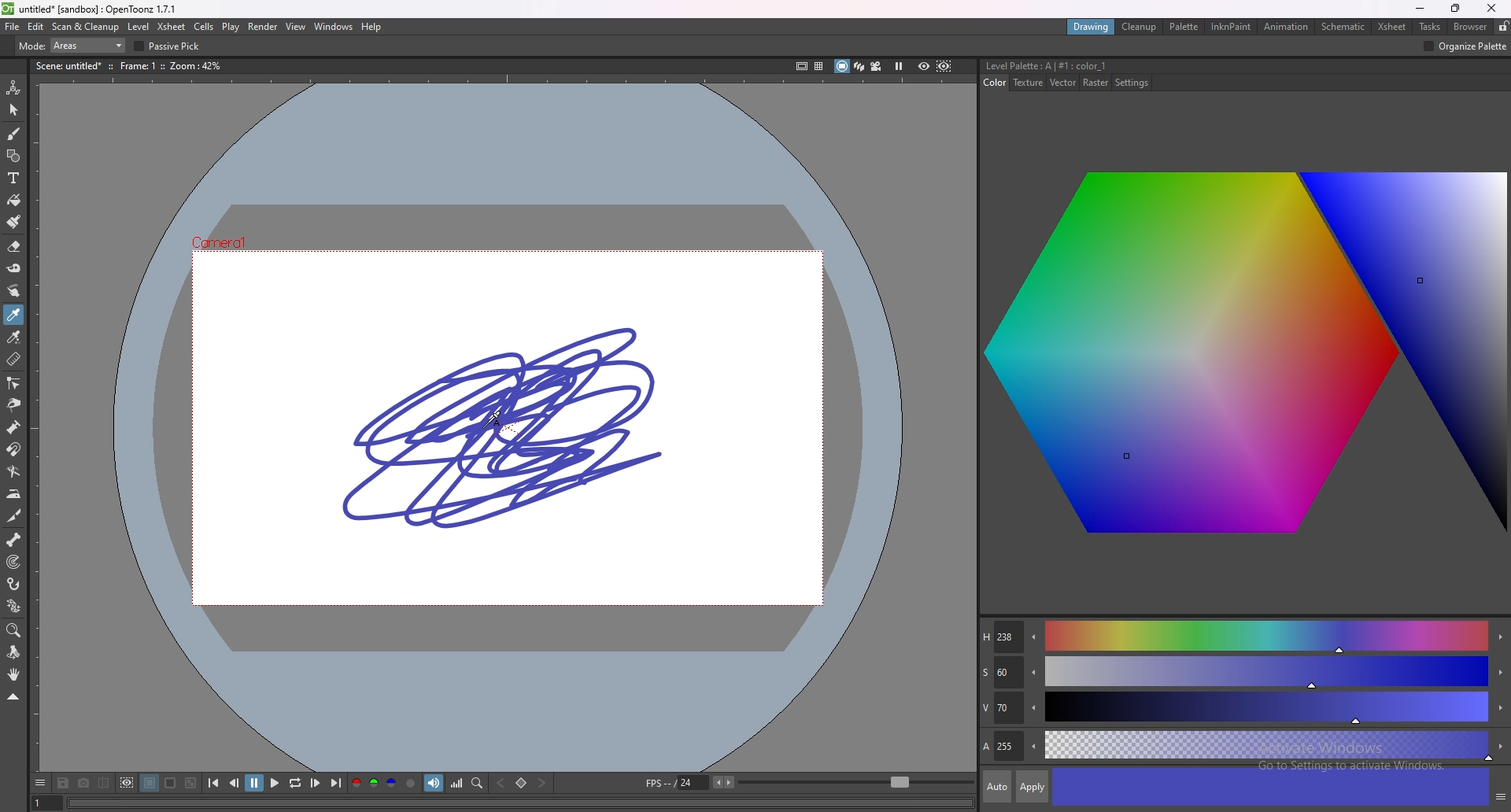 Image resolution: width=1511 pixels, height=812 pixels. What do you see at coordinates (334, 26) in the screenshot?
I see `windows` at bounding box center [334, 26].